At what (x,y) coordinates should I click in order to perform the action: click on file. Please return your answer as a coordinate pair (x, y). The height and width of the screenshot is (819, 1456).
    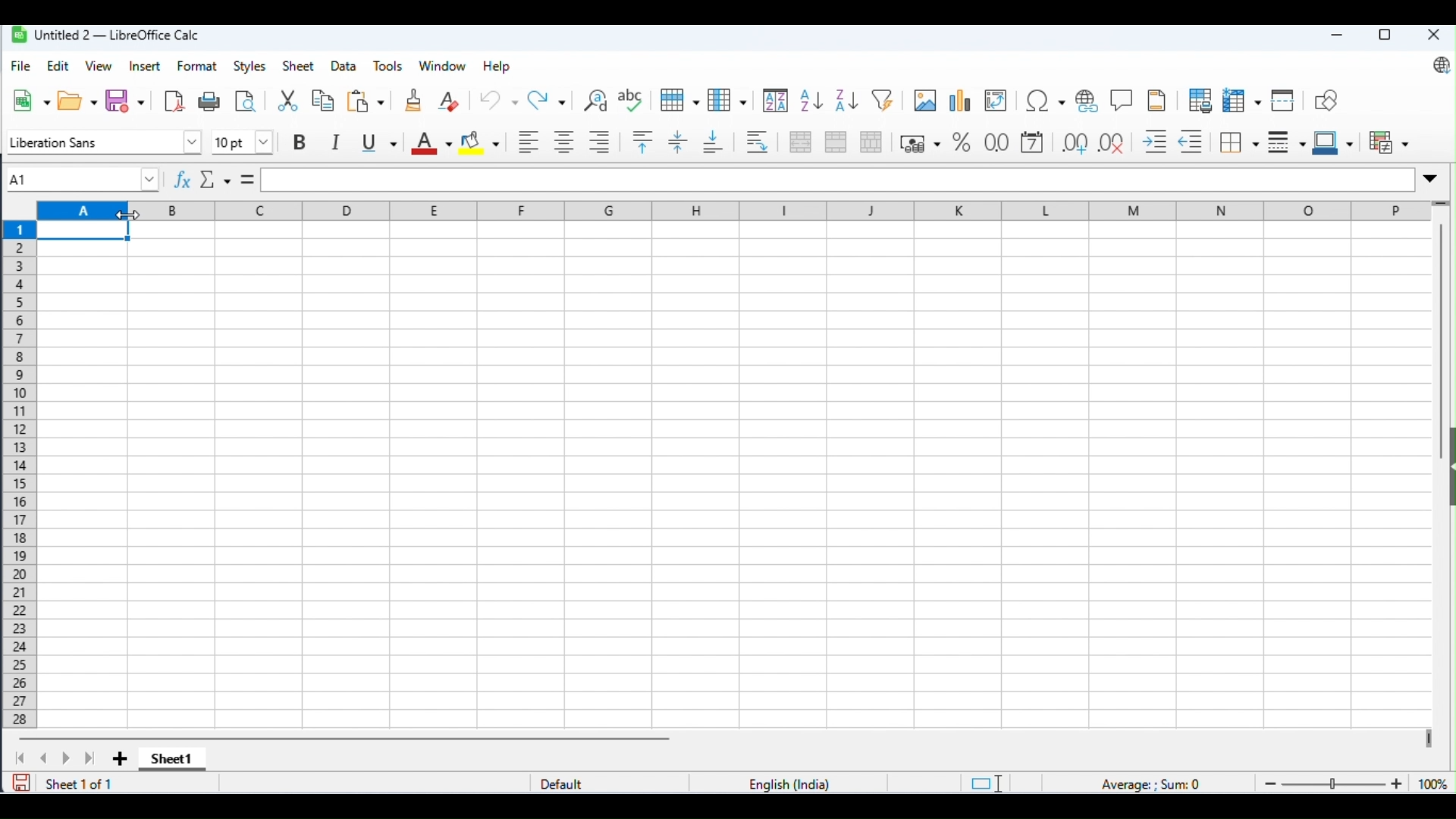
    Looking at the image, I should click on (21, 66).